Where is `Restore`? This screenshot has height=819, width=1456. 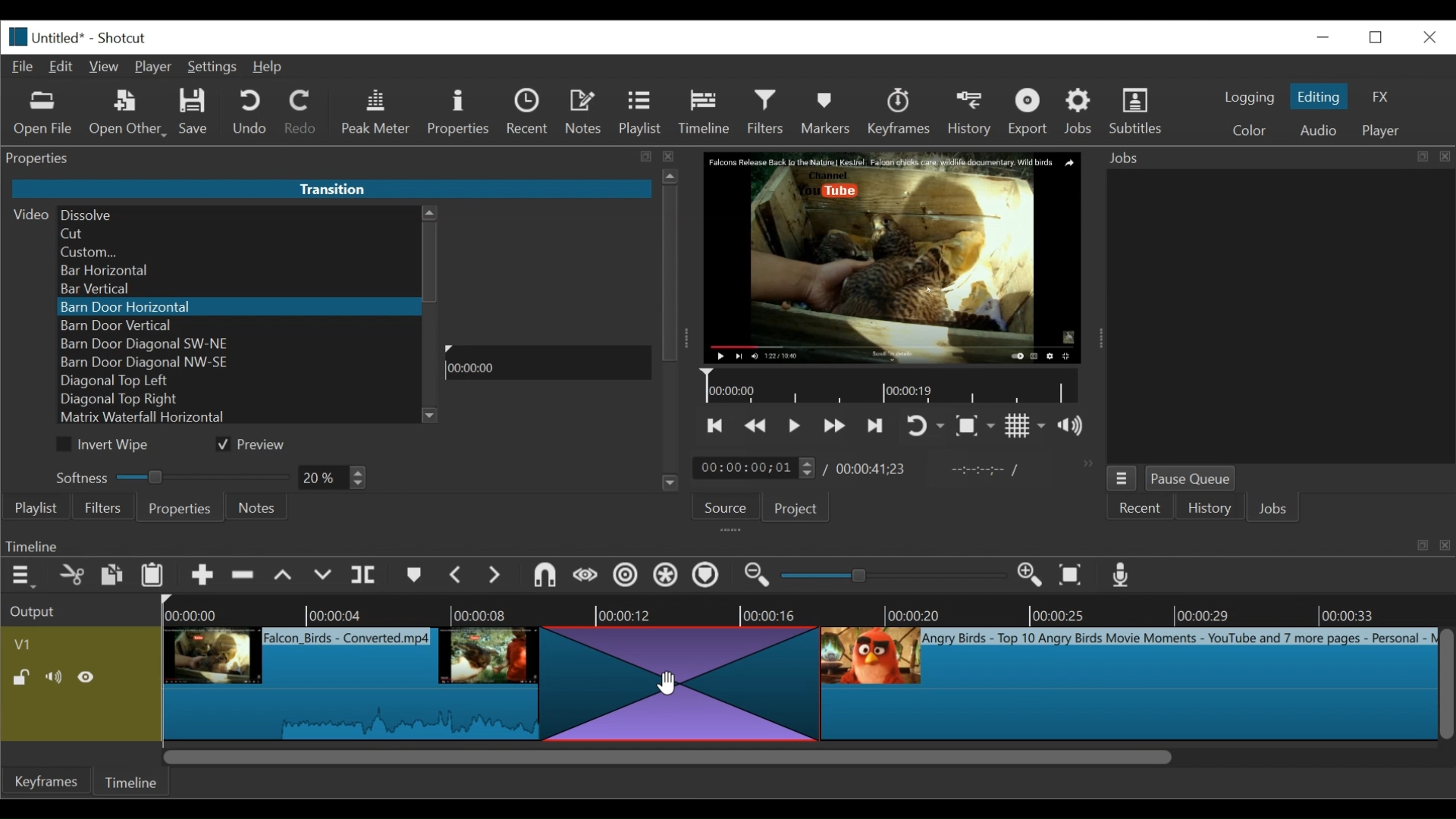 Restore is located at coordinates (1376, 36).